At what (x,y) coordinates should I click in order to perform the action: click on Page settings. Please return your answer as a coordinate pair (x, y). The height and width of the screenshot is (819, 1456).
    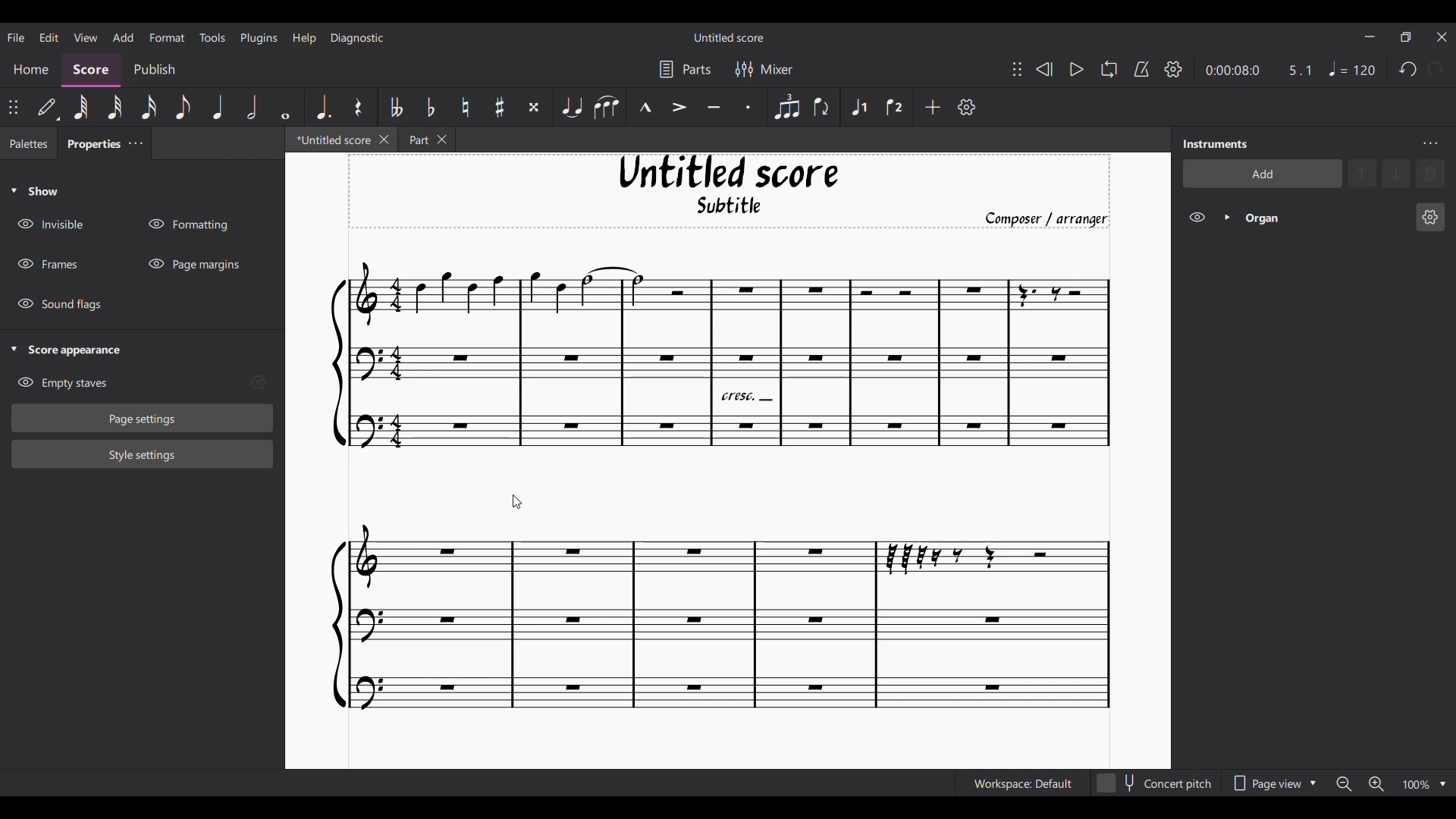
    Looking at the image, I should click on (143, 418).